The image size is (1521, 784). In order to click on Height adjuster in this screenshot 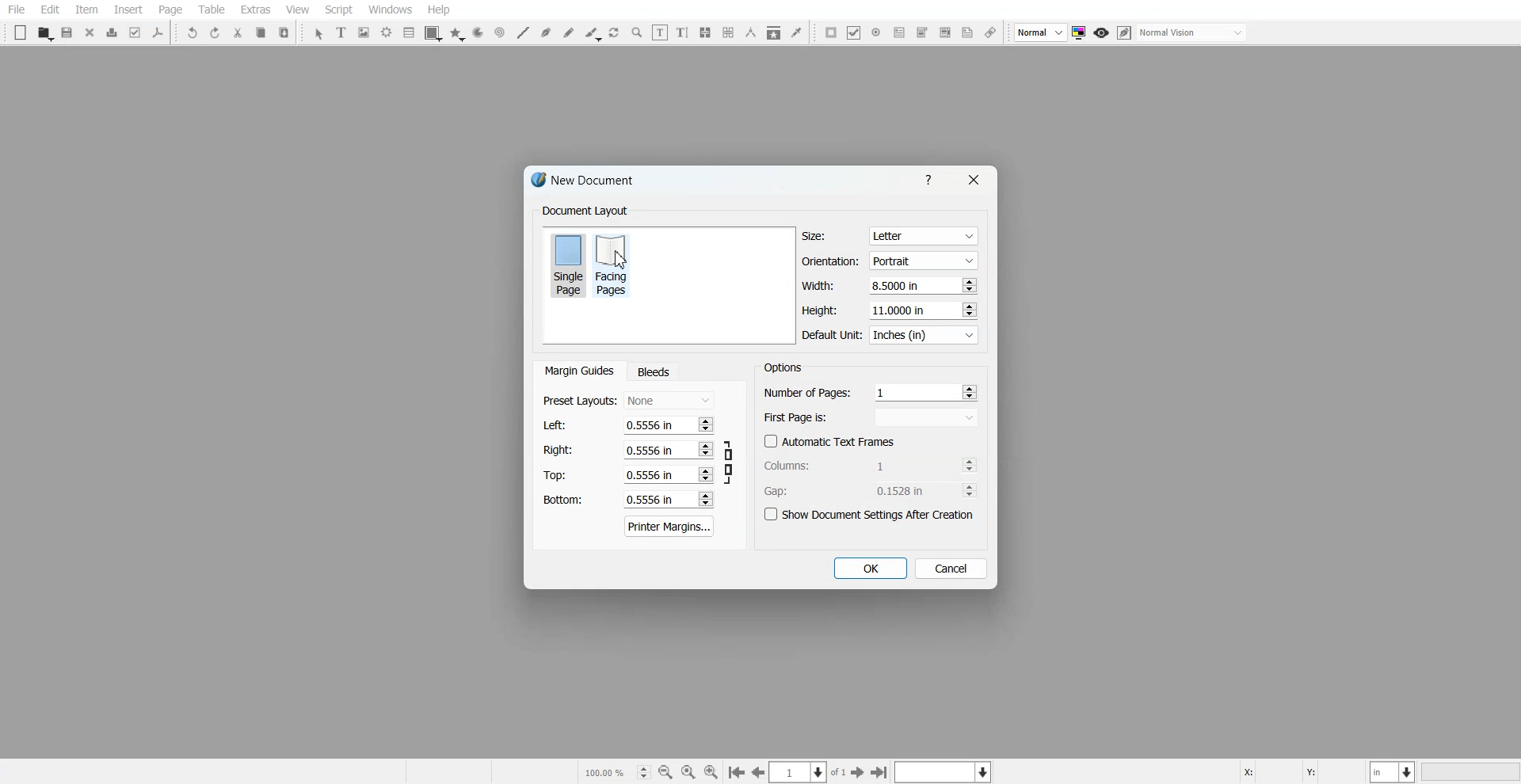, I will do `click(890, 310)`.